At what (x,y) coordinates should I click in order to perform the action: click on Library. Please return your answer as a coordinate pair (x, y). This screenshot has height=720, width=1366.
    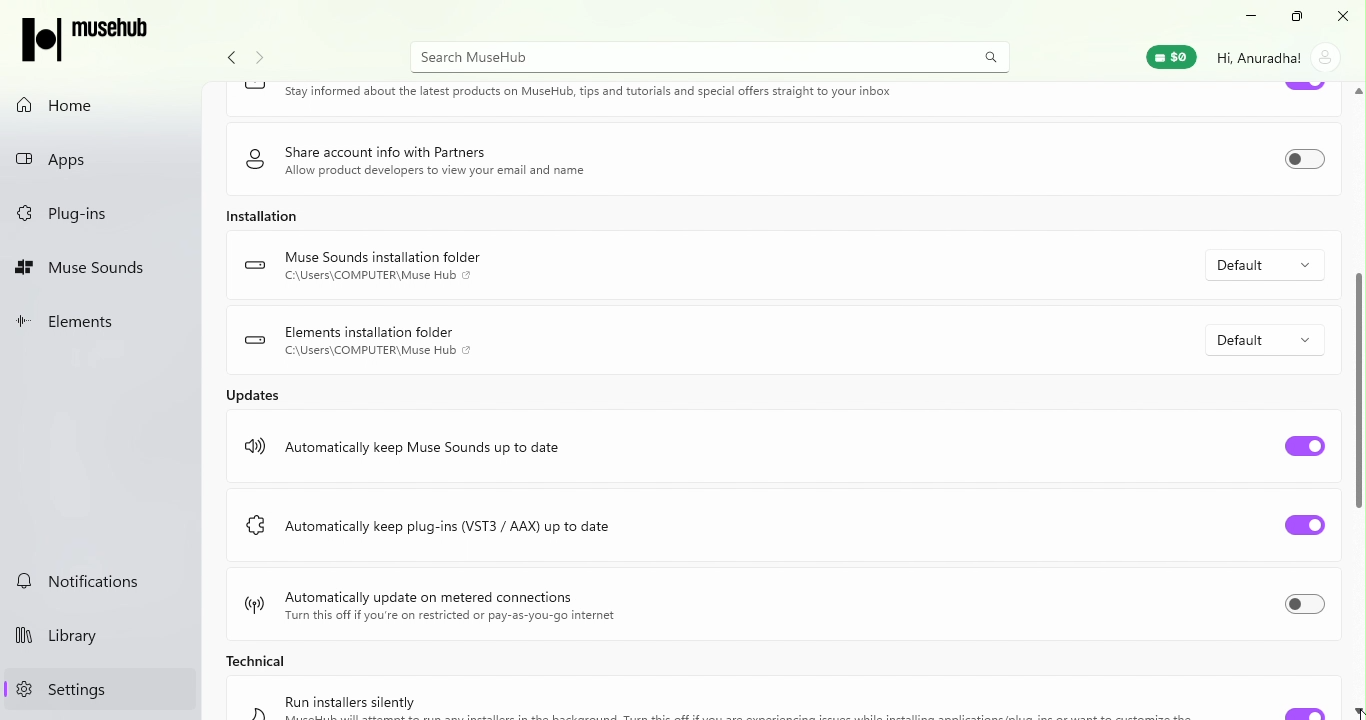
    Looking at the image, I should click on (102, 637).